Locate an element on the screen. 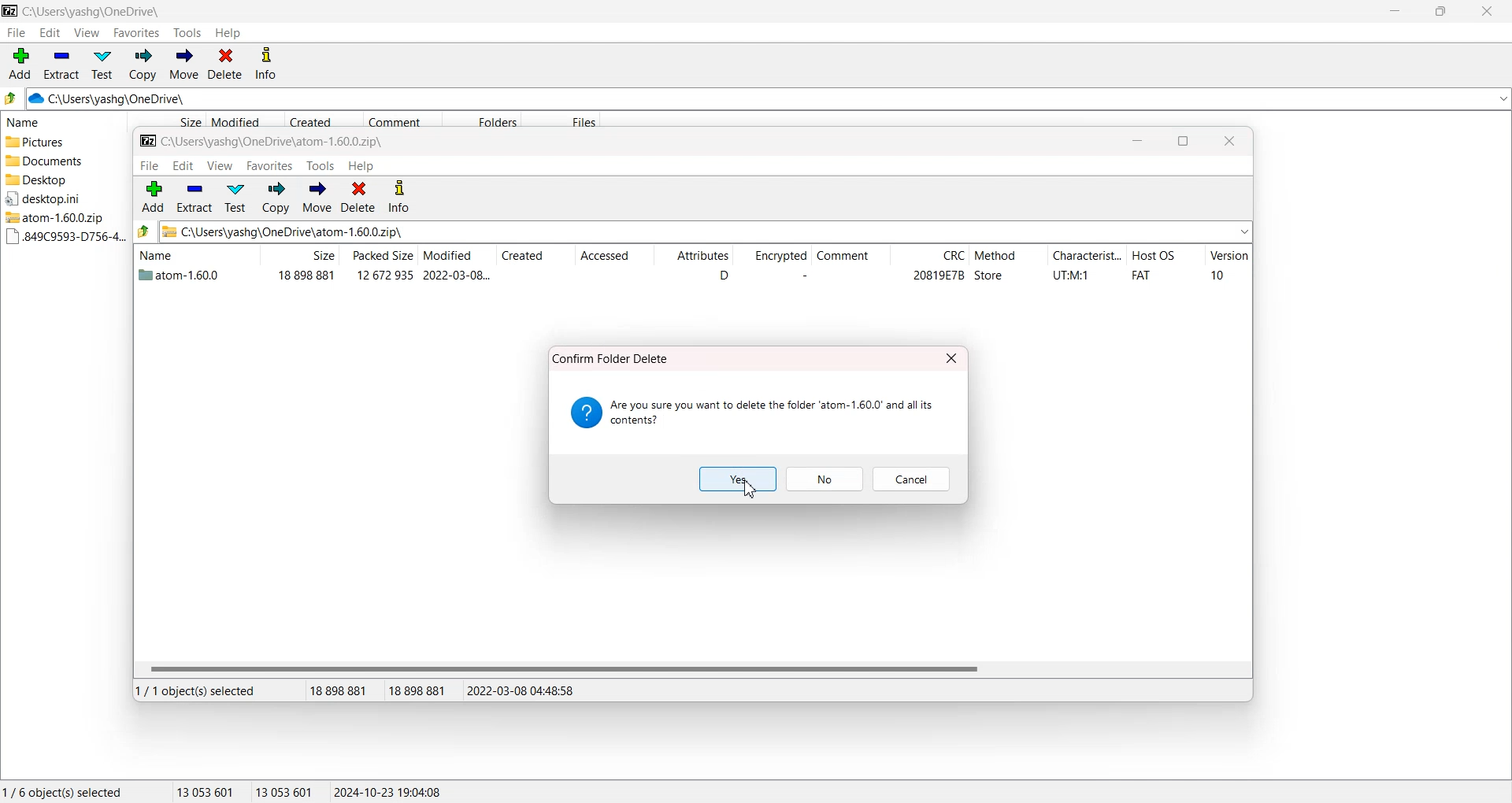 The height and width of the screenshot is (803, 1512). Files is located at coordinates (562, 120).